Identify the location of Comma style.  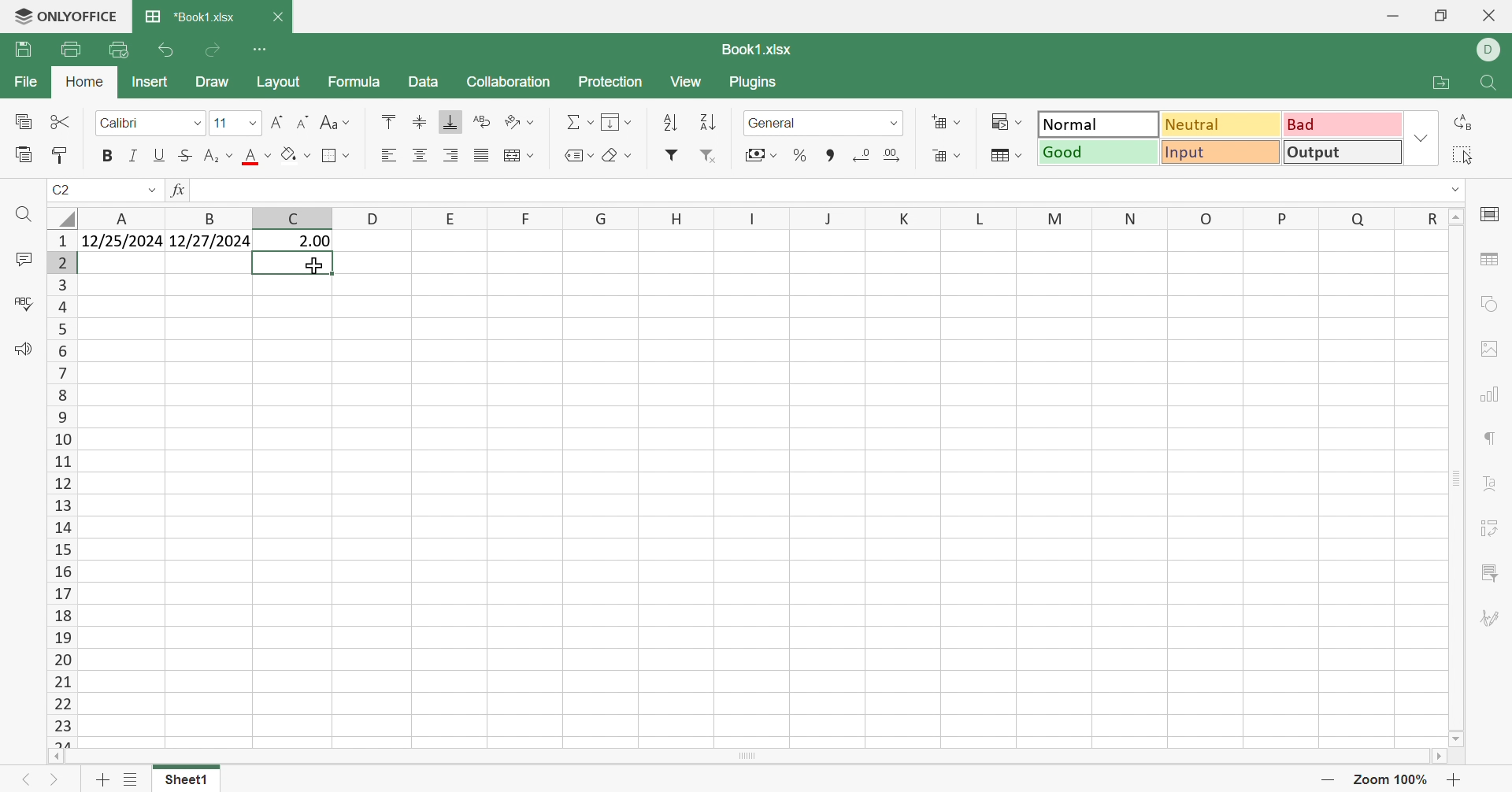
(830, 156).